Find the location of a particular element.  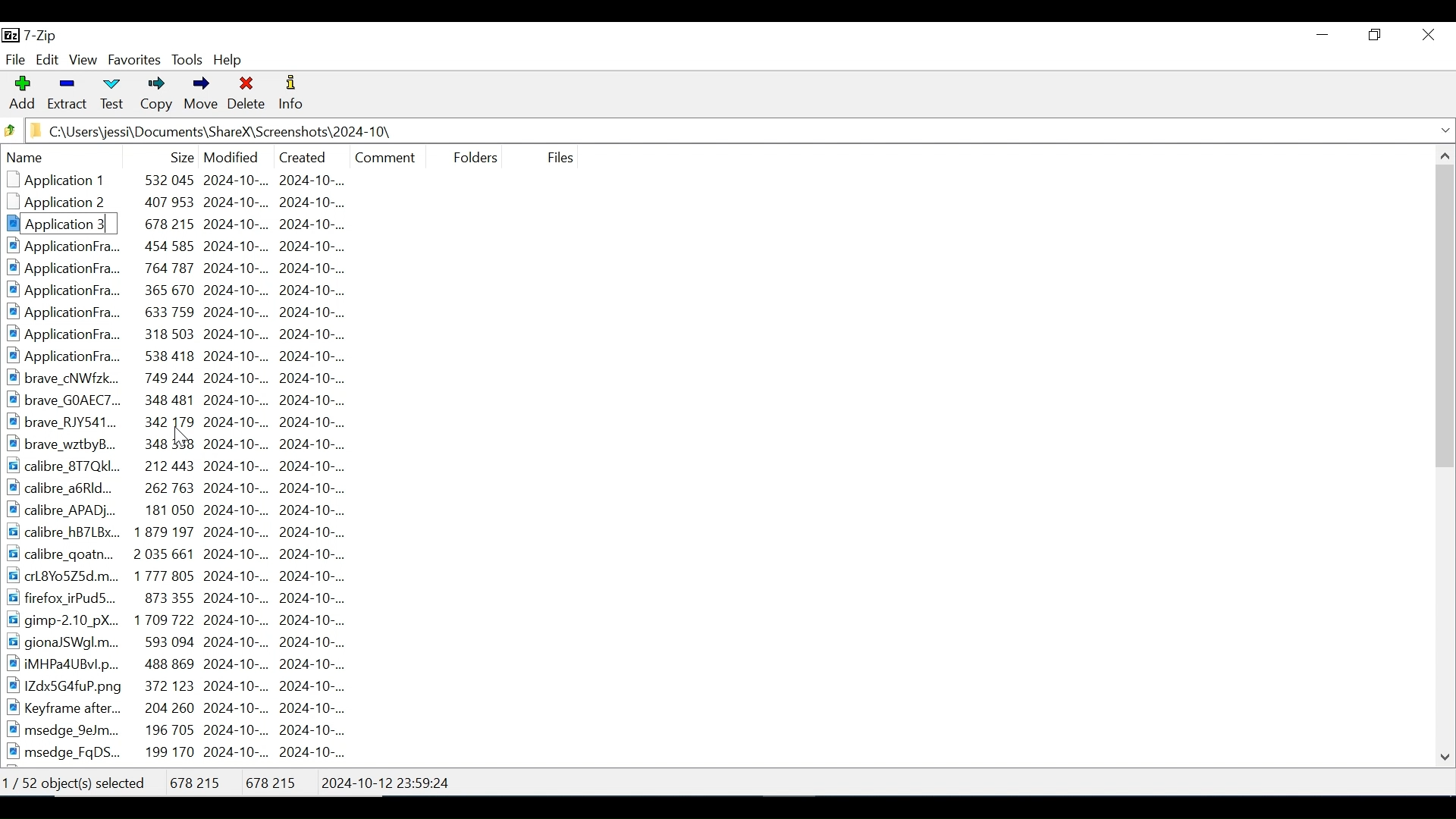

msedge_FgDS... 199 170 2024-10-... 2024-10-... is located at coordinates (178, 753).